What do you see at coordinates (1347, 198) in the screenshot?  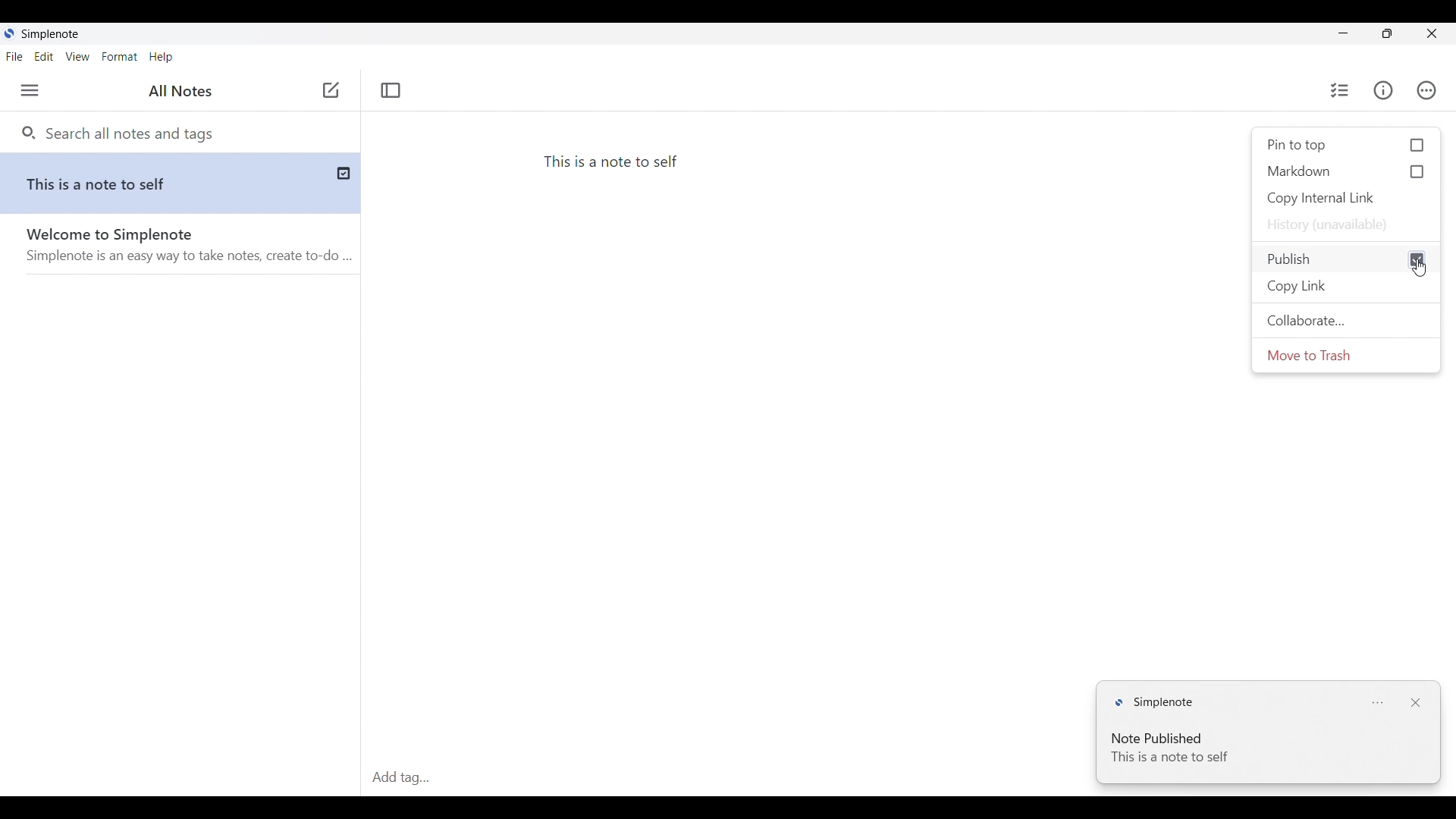 I see `Copy internal link` at bounding box center [1347, 198].